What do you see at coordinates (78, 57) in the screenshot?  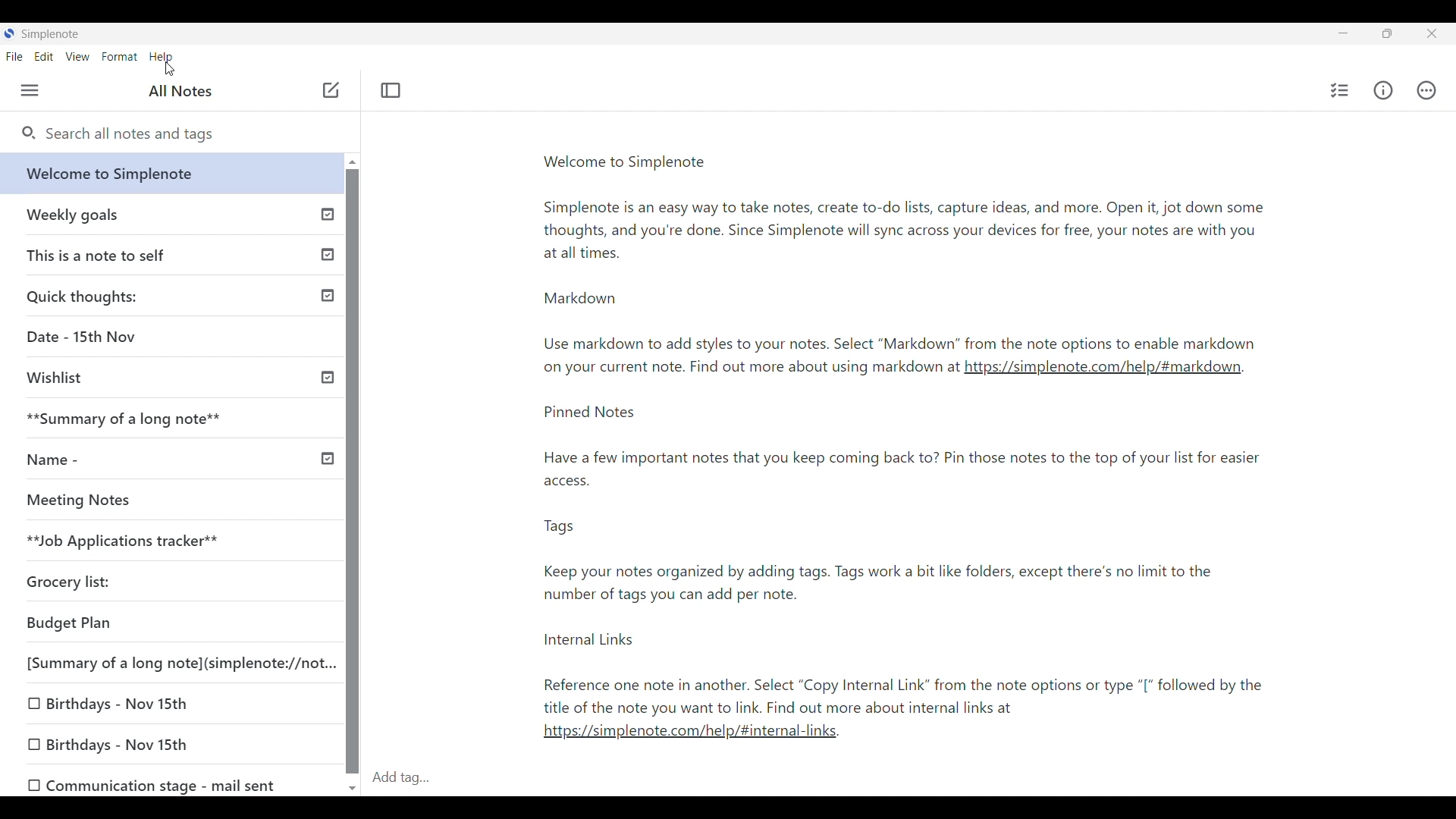 I see `View menu` at bounding box center [78, 57].